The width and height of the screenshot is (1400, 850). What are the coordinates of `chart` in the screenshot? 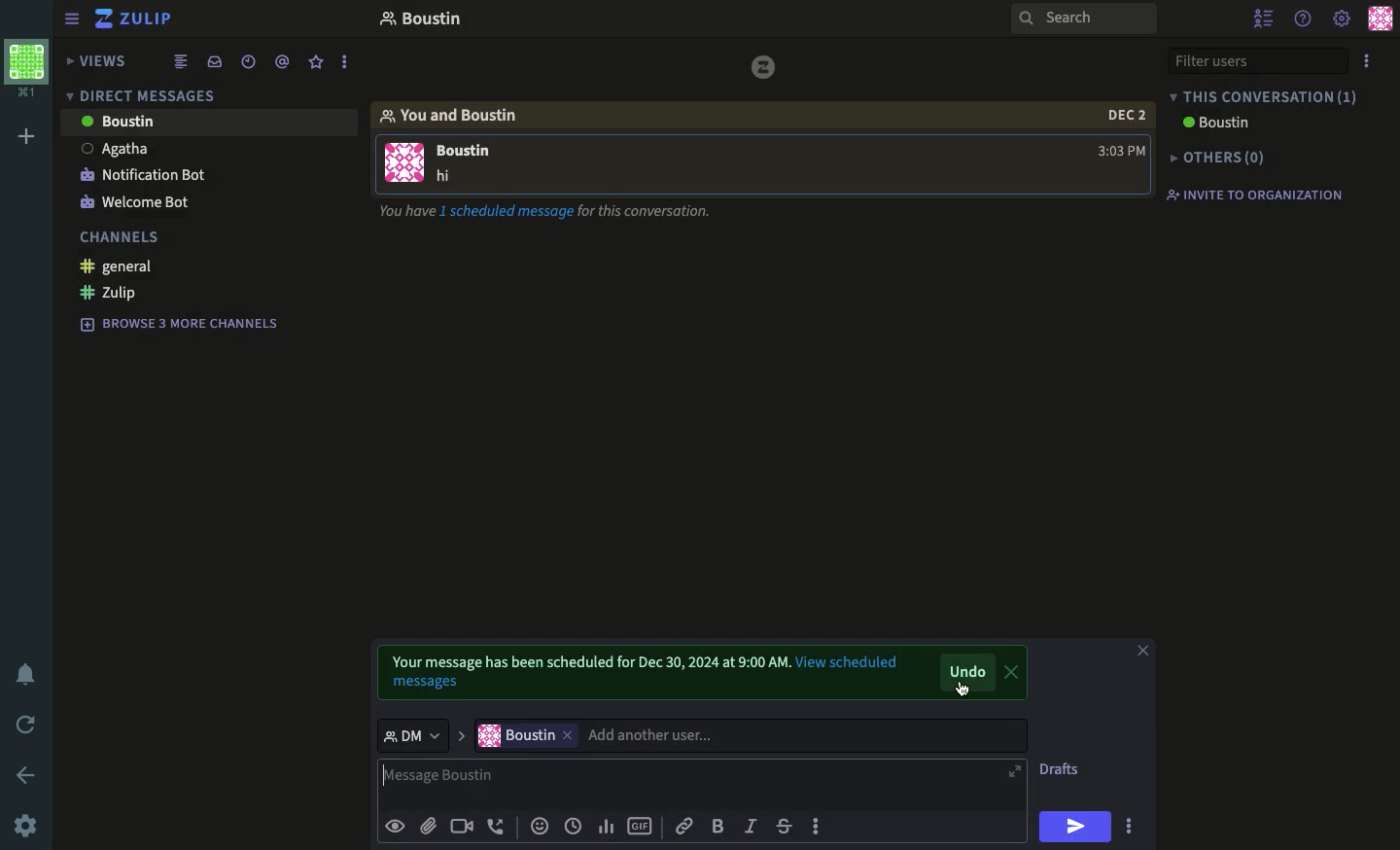 It's located at (606, 826).